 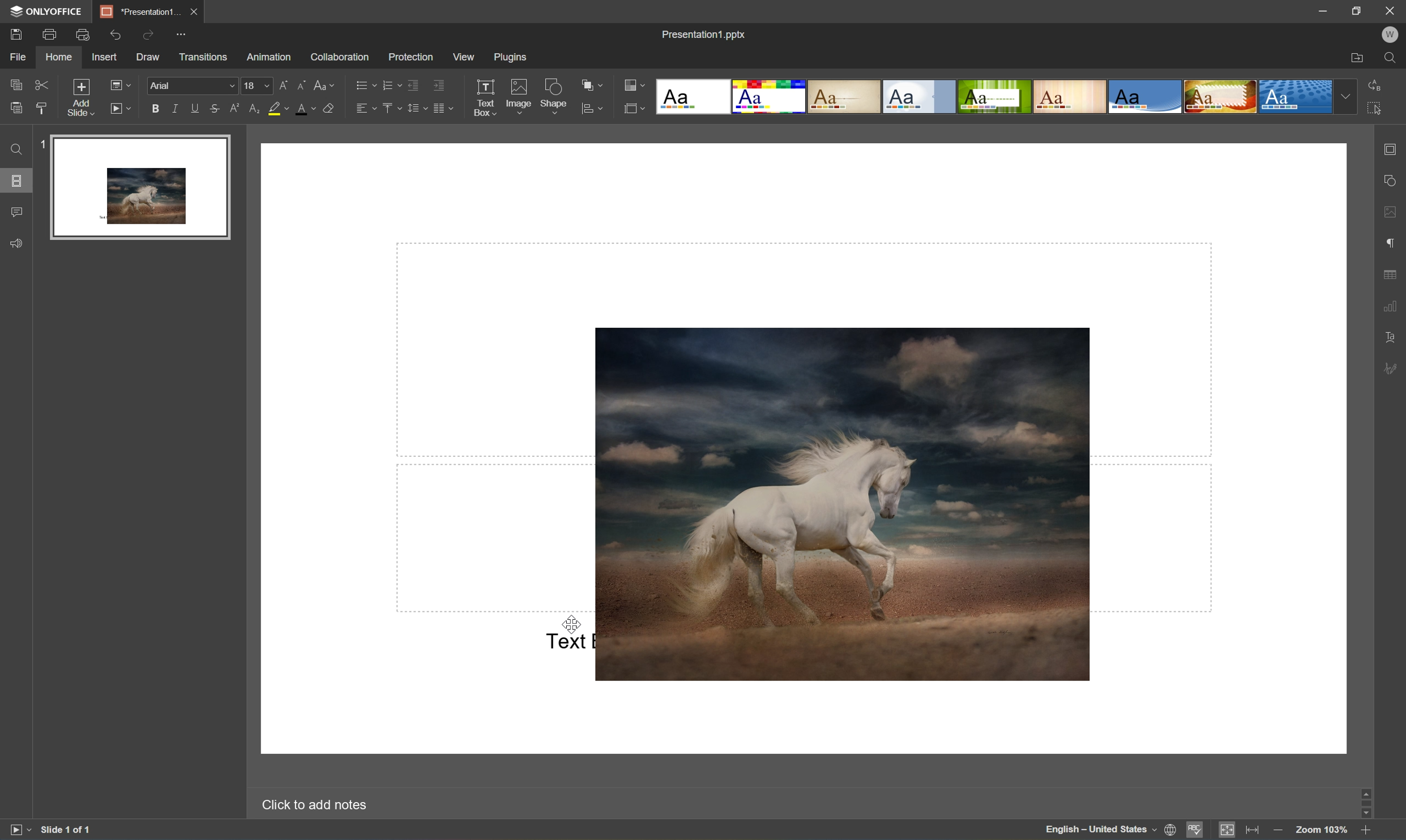 What do you see at coordinates (105, 57) in the screenshot?
I see `Insert` at bounding box center [105, 57].